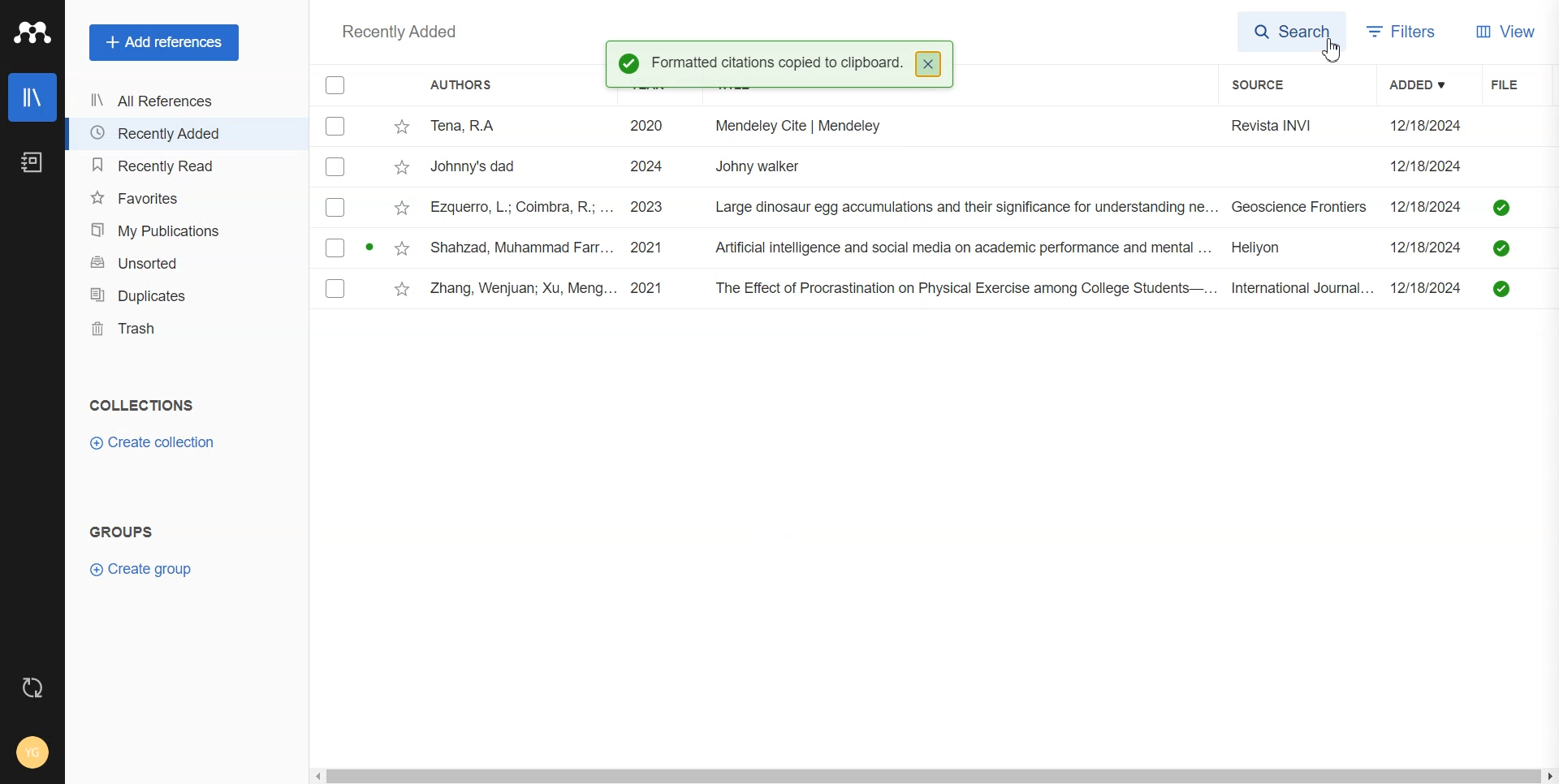 This screenshot has height=784, width=1559. What do you see at coordinates (905, 289) in the screenshot?
I see `Zhang, Wenjuan; Xu, Meng... 2021 The Effect of Procrastination on Physical Exercise among College Students—... International Journal...` at bounding box center [905, 289].